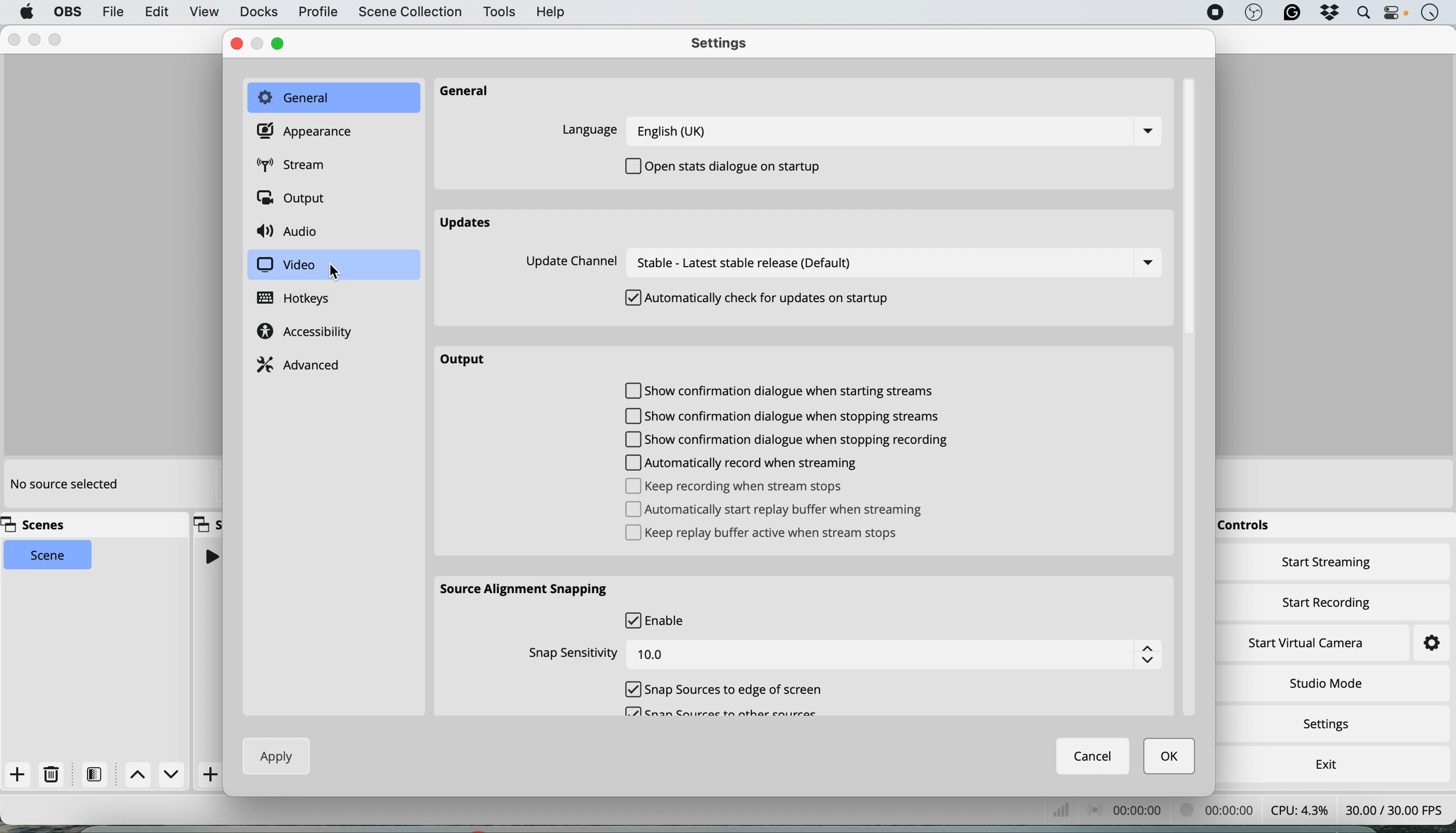 The height and width of the screenshot is (833, 1456). I want to click on control cener, so click(1395, 15).